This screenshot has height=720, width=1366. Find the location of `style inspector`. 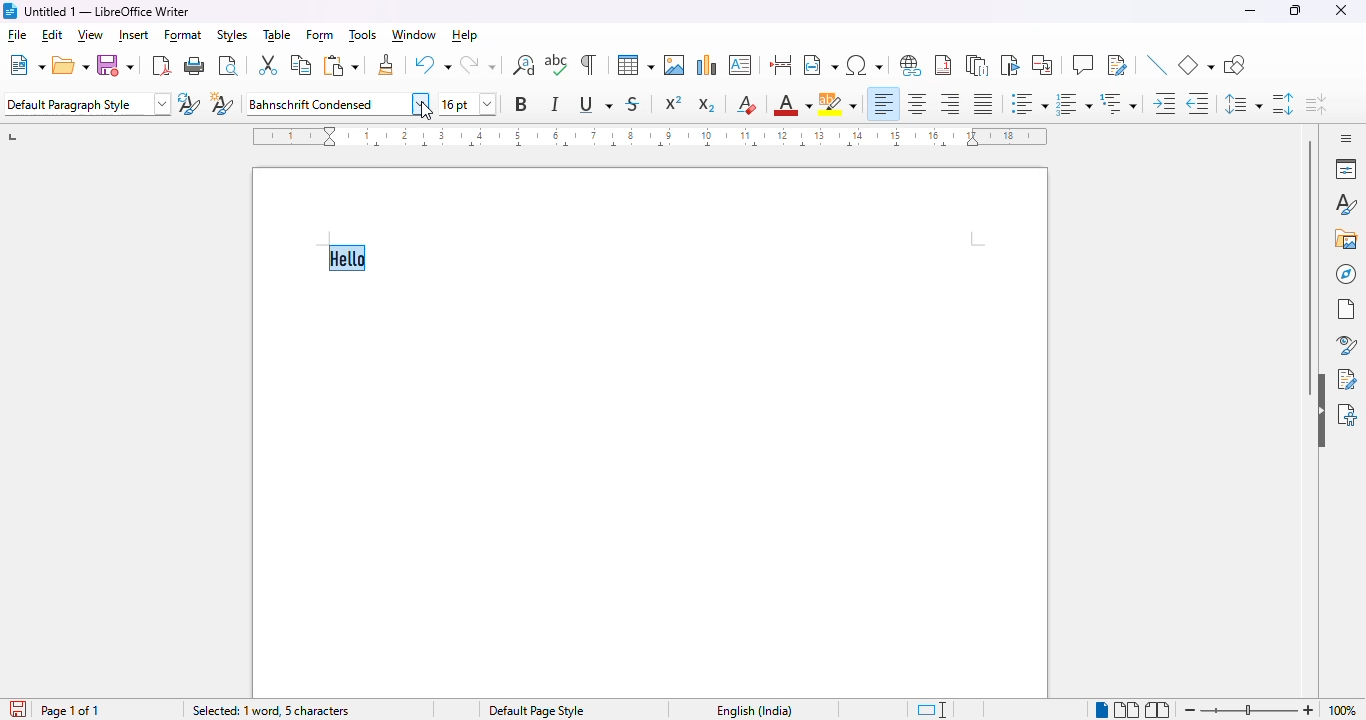

style inspector is located at coordinates (1345, 345).